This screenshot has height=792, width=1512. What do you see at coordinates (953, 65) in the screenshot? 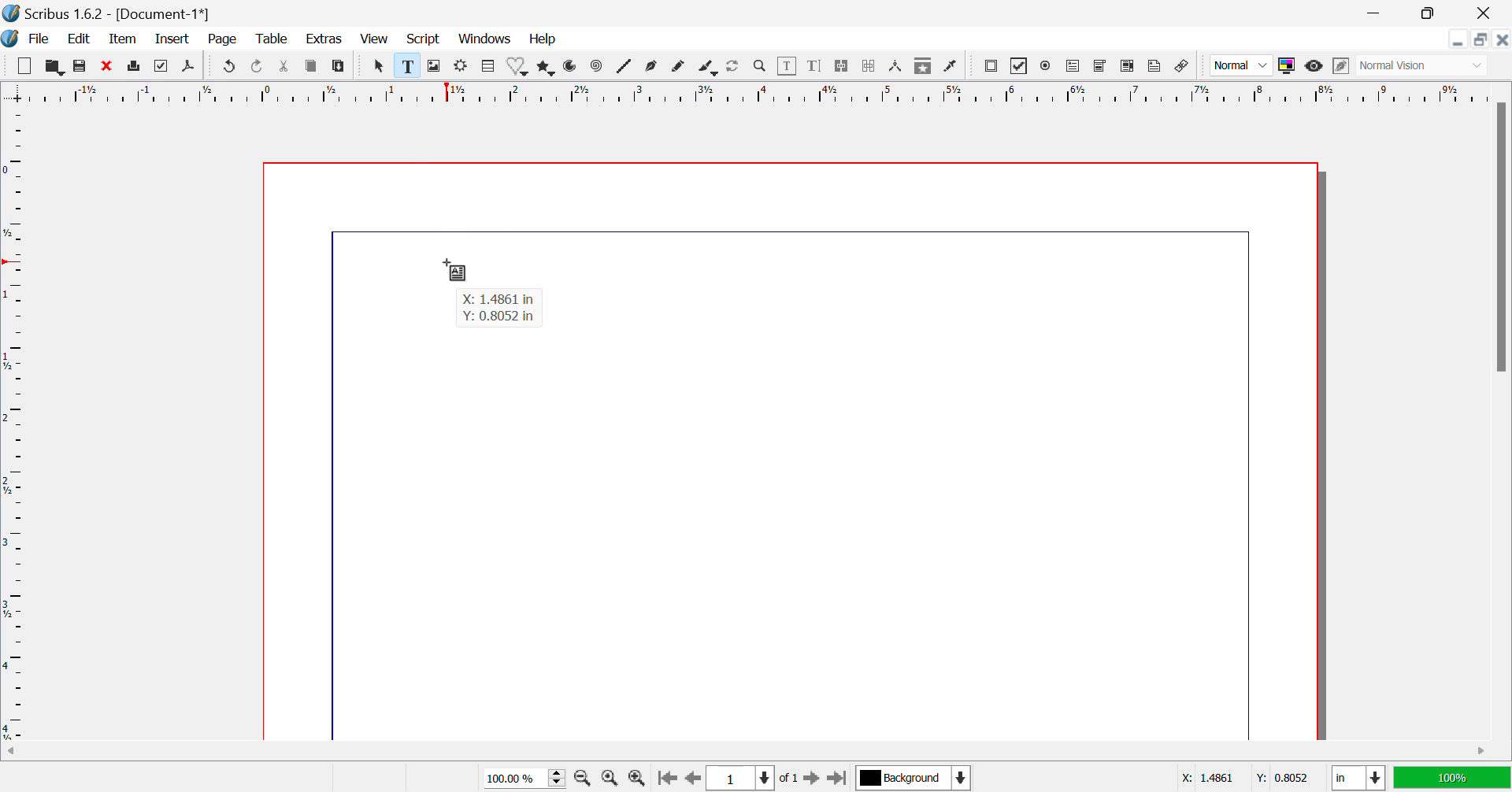
I see `Eyedropper` at bounding box center [953, 65].